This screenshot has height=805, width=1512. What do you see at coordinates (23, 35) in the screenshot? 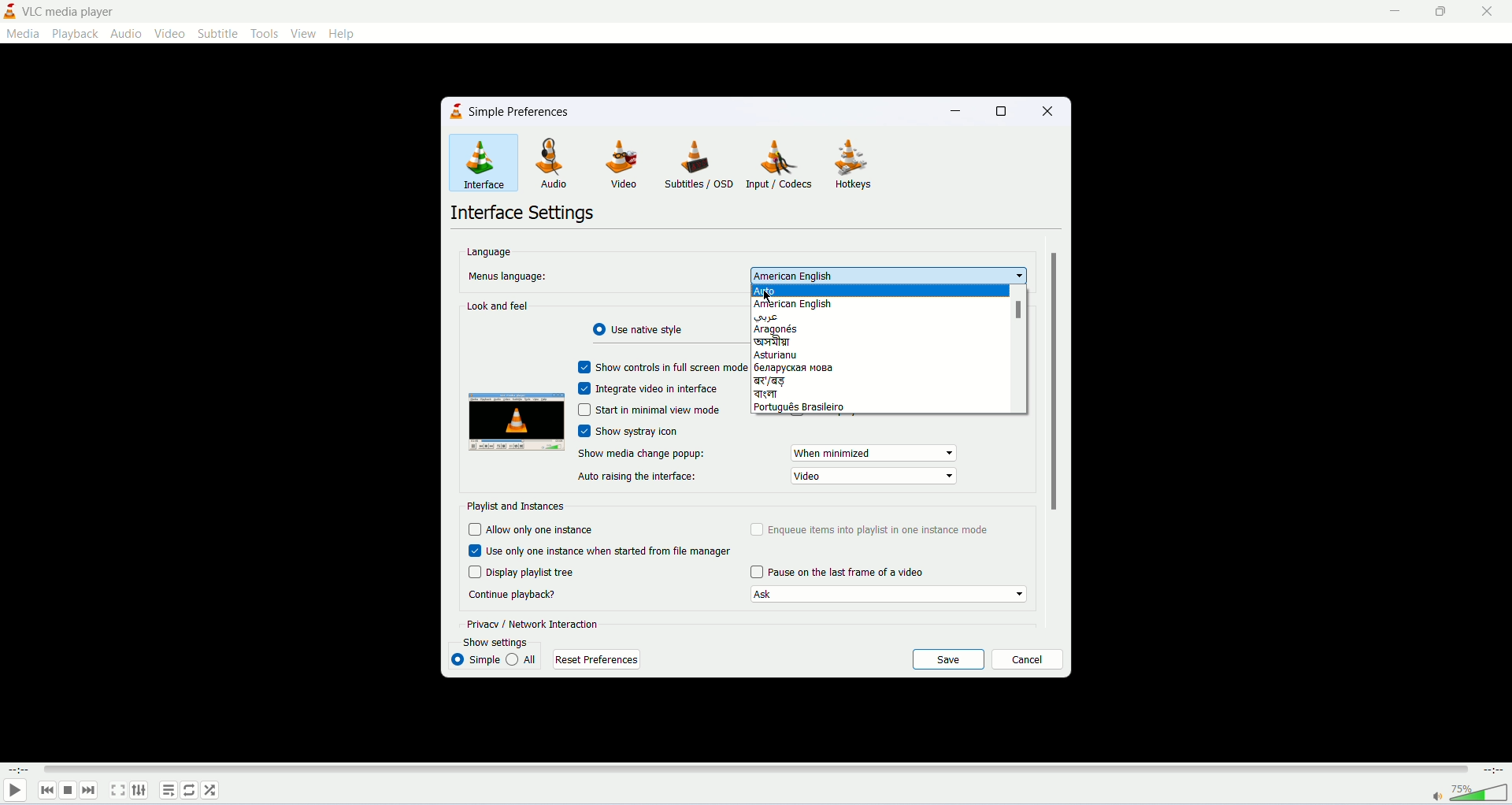
I see `media` at bounding box center [23, 35].